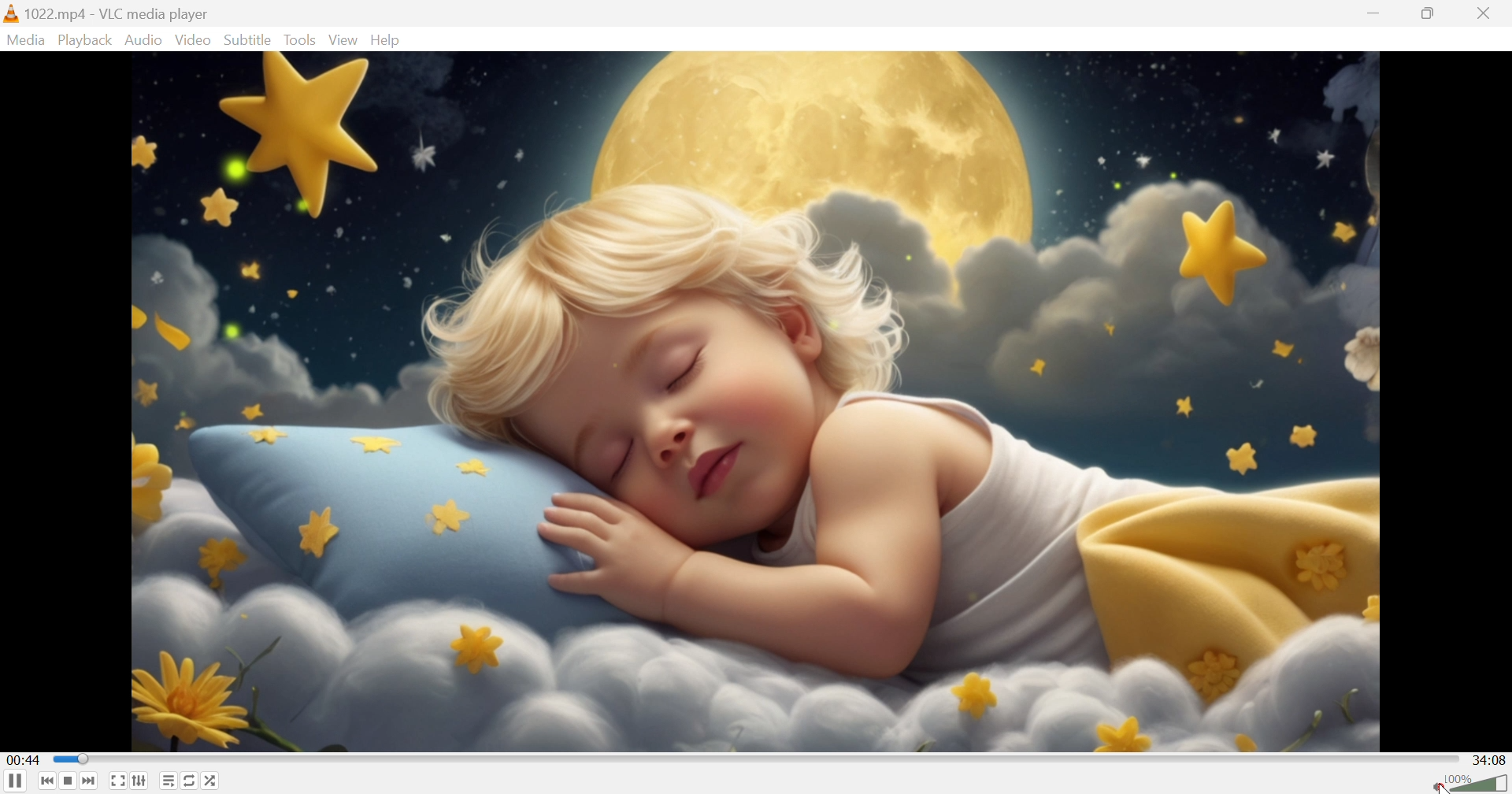 The image size is (1512, 794). What do you see at coordinates (26, 39) in the screenshot?
I see `Media` at bounding box center [26, 39].